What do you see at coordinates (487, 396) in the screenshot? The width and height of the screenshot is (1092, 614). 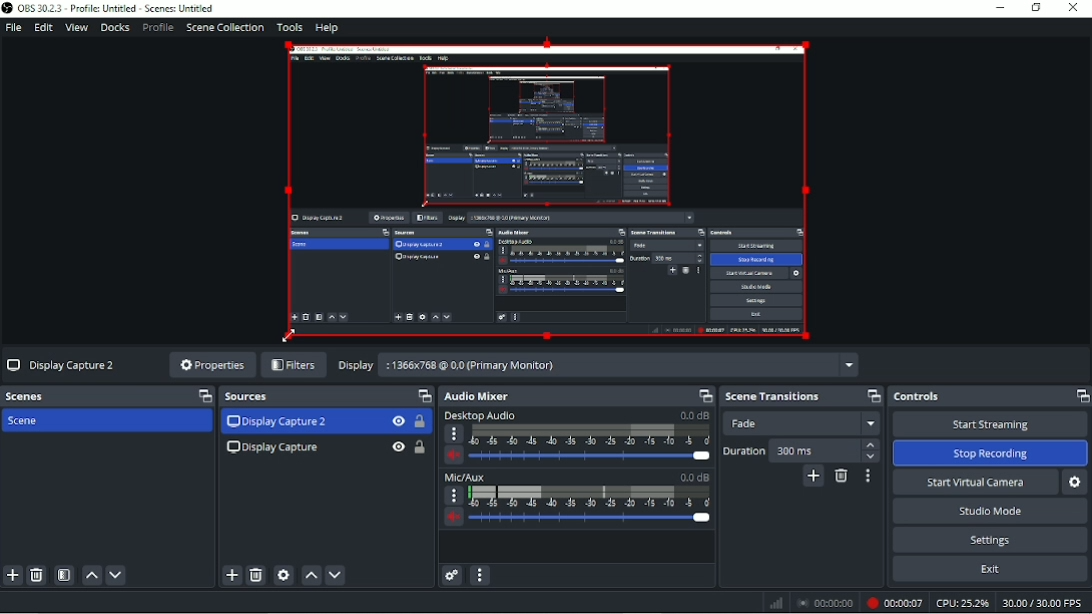 I see `Audio Mixer` at bounding box center [487, 396].